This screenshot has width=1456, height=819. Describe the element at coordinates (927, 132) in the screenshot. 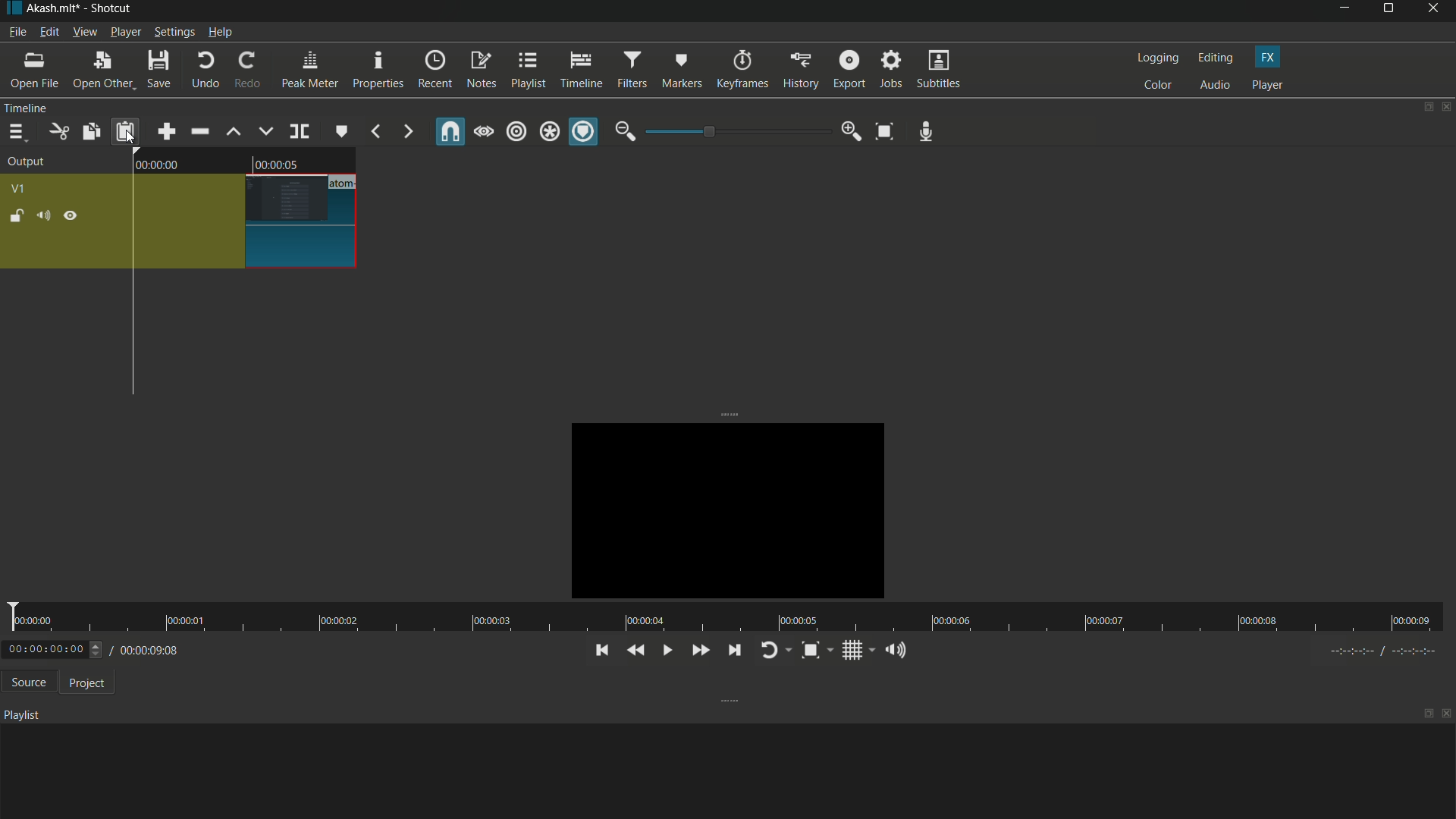

I see `record audio` at that location.